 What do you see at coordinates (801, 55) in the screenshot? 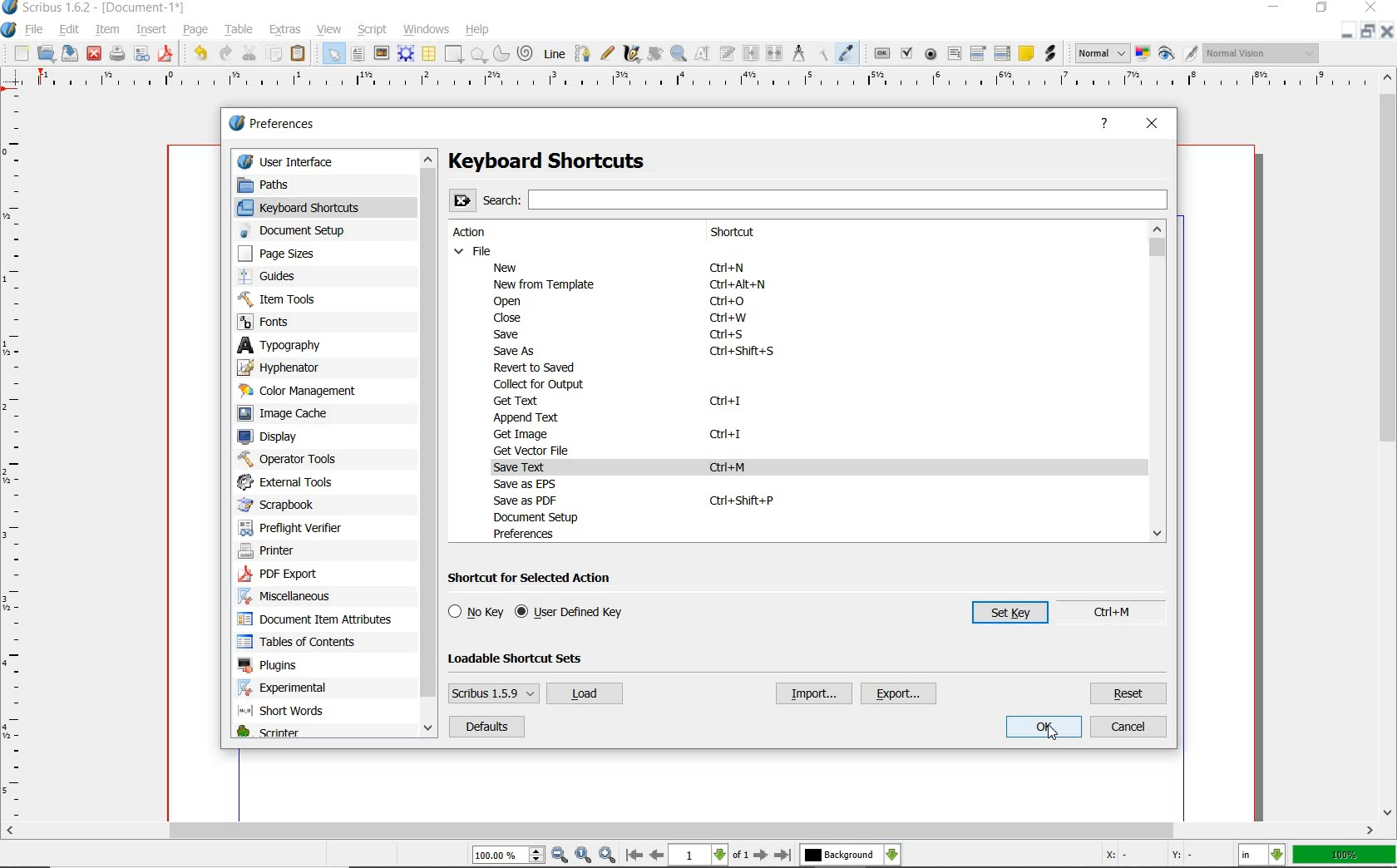
I see `measurements` at bounding box center [801, 55].